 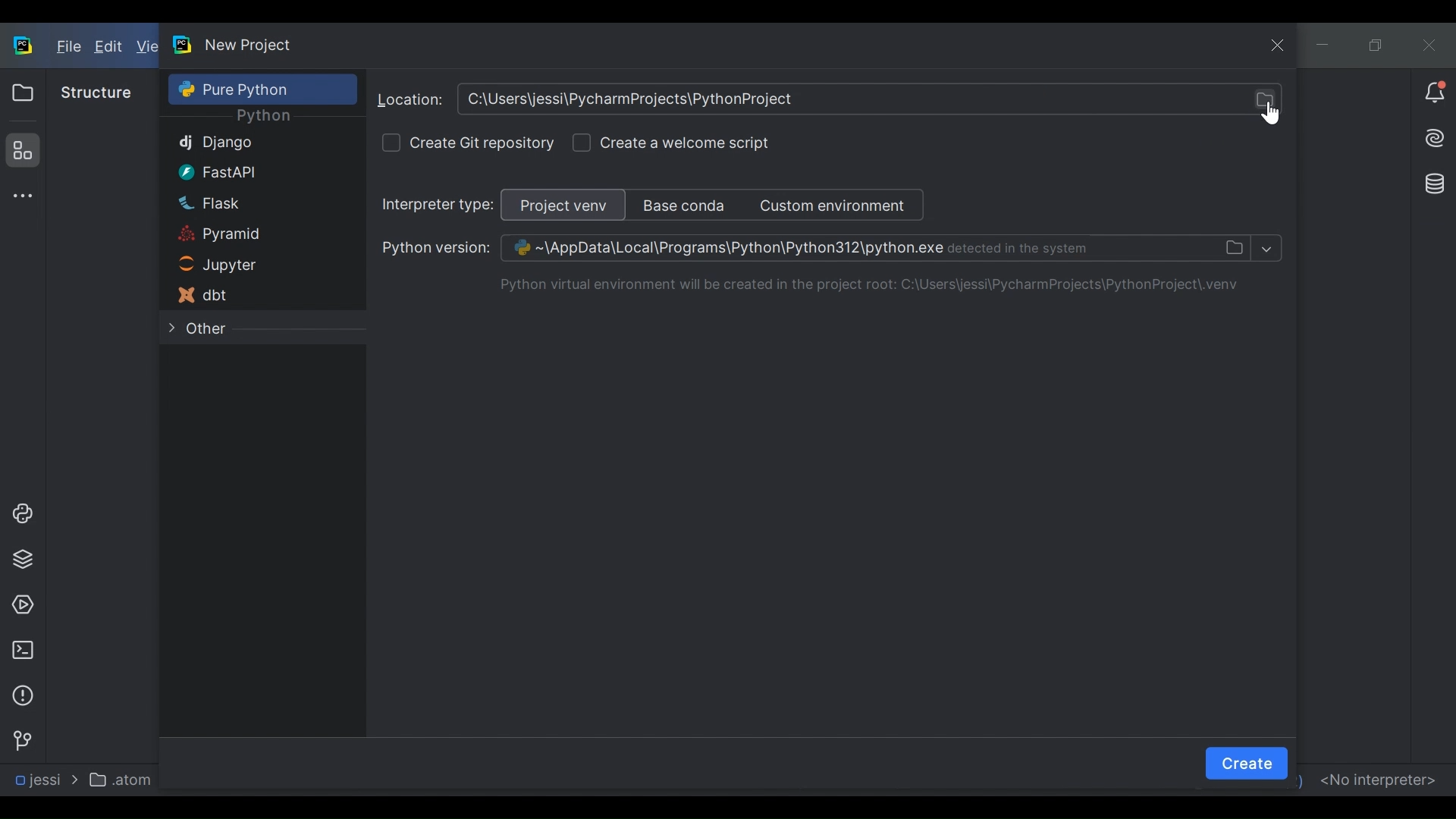 I want to click on jes, so click(x=35, y=780).